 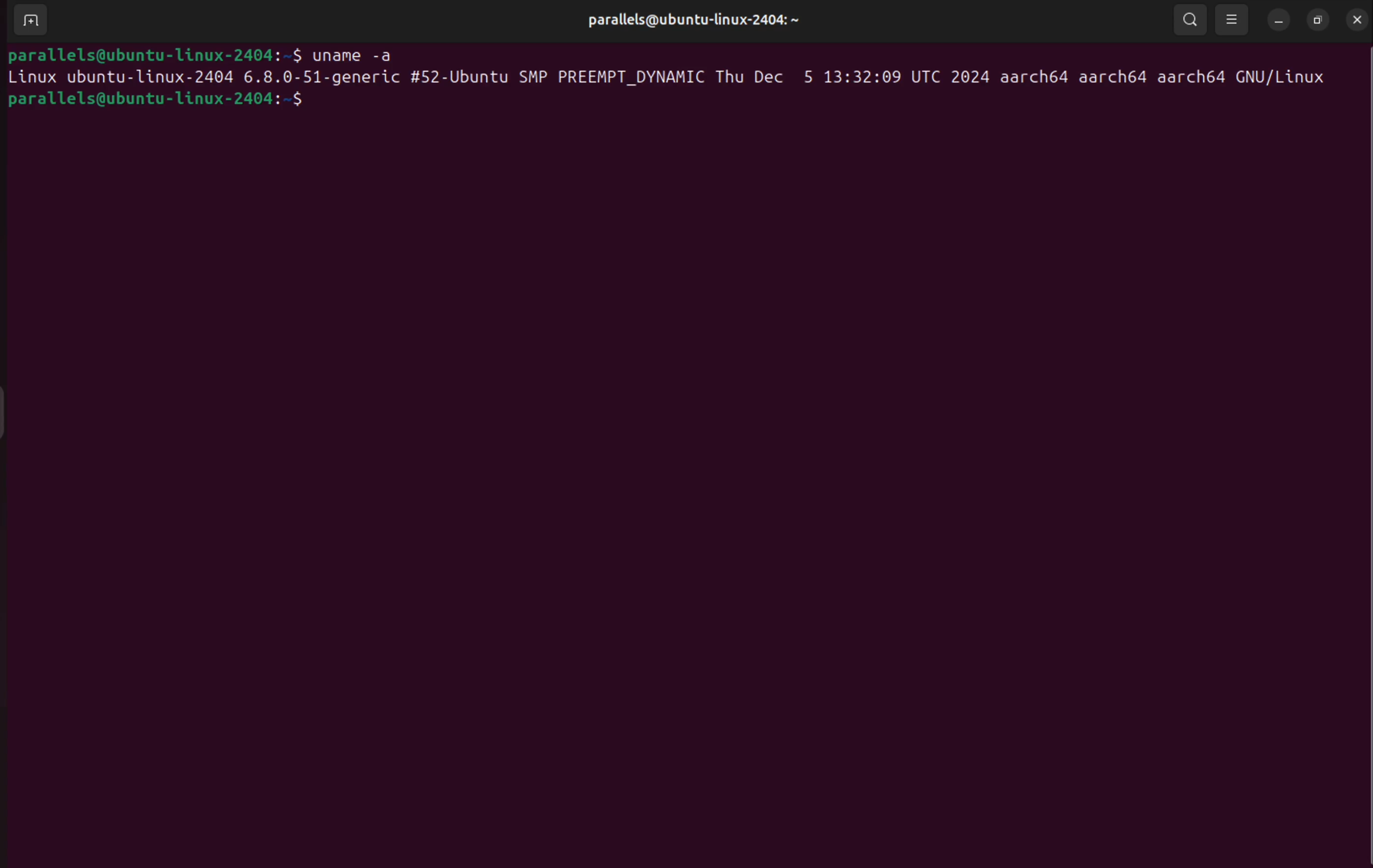 I want to click on view option, so click(x=1233, y=21).